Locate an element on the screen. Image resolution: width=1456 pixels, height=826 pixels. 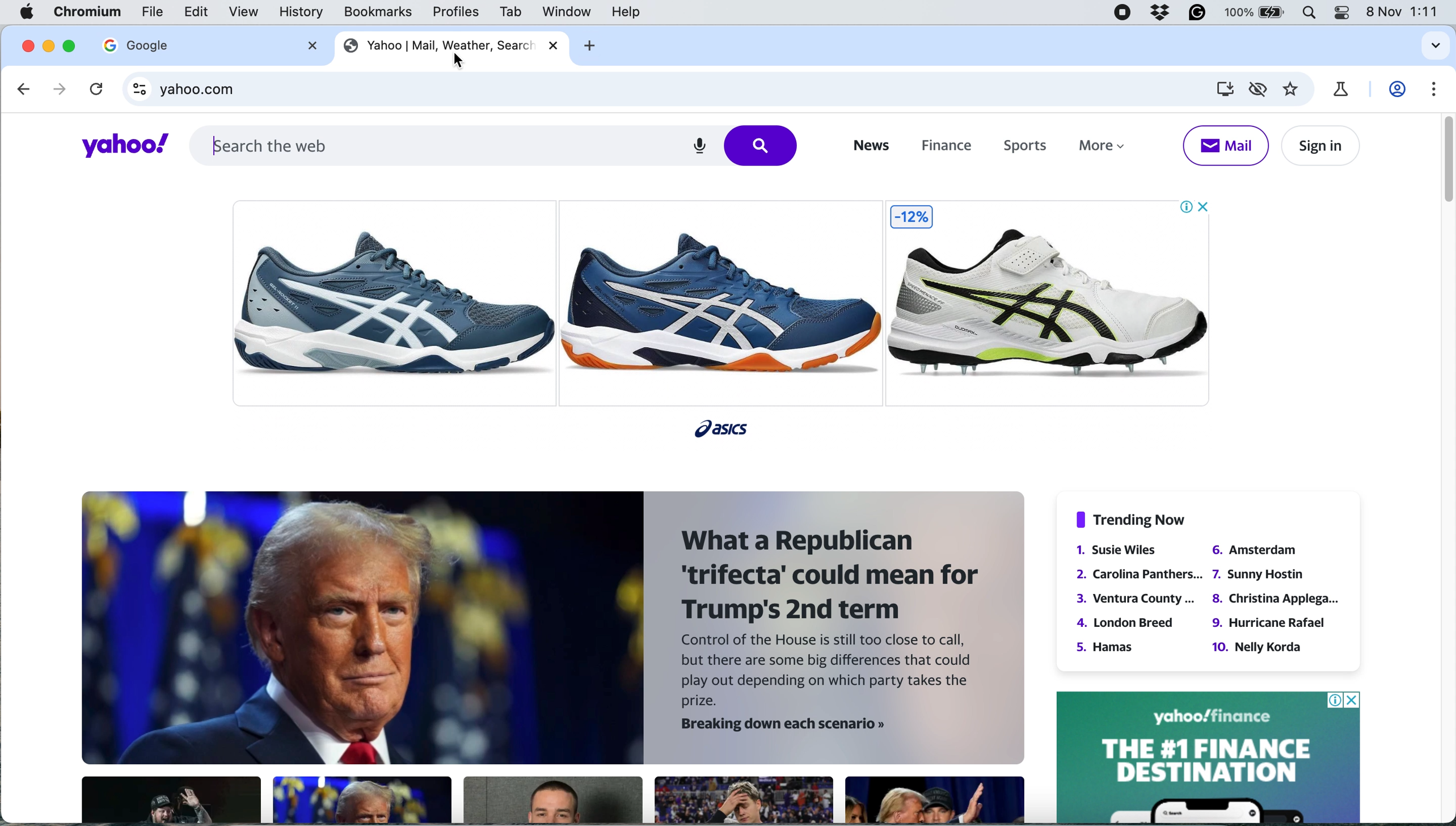
8 nov 1:11 is located at coordinates (1405, 12).